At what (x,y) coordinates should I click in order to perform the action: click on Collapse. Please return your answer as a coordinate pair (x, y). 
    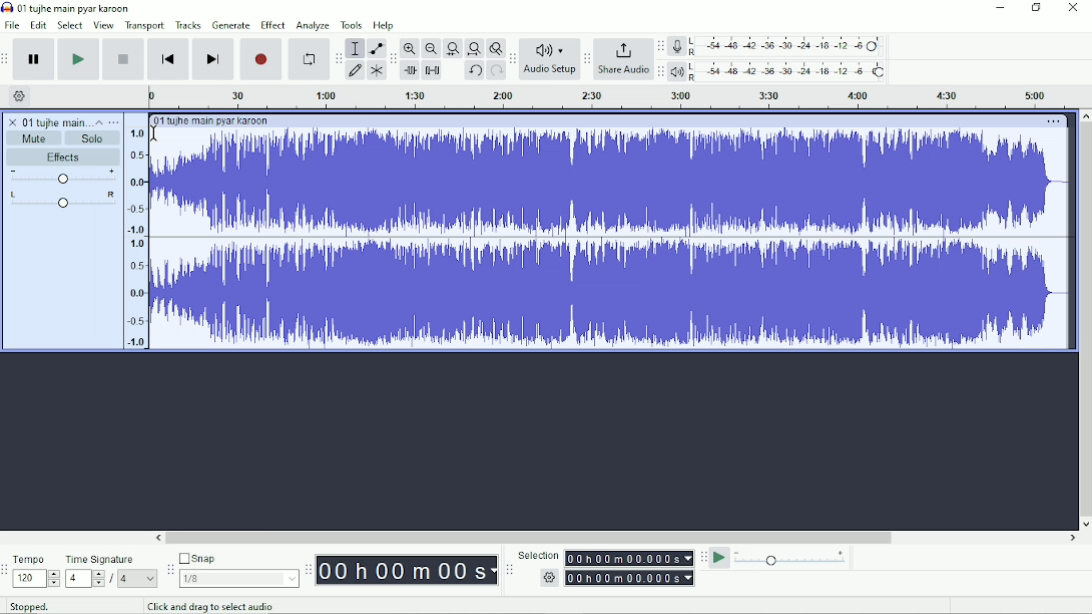
    Looking at the image, I should click on (99, 122).